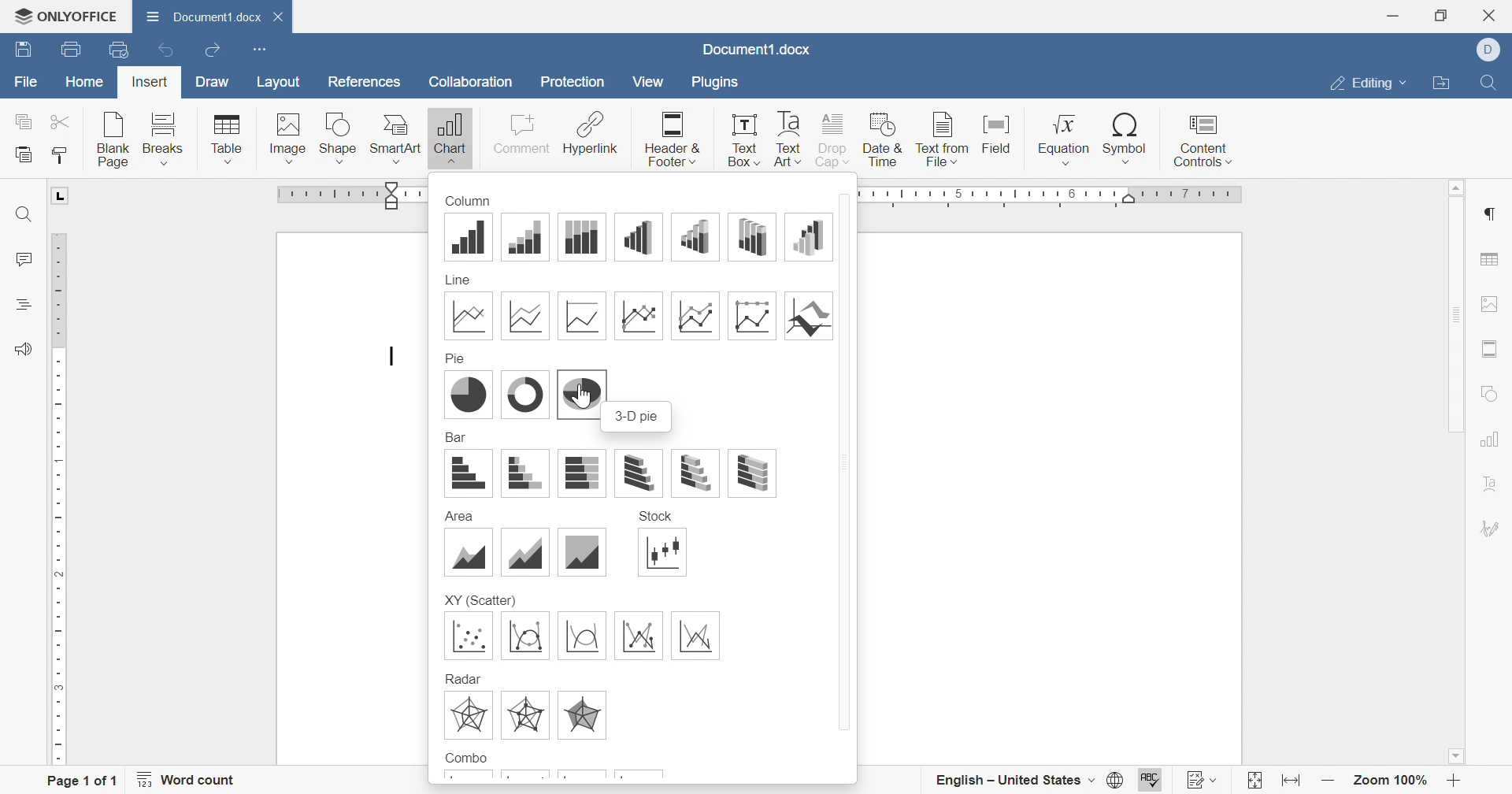 This screenshot has height=794, width=1512. What do you see at coordinates (1054, 195) in the screenshot?
I see `Ruler` at bounding box center [1054, 195].